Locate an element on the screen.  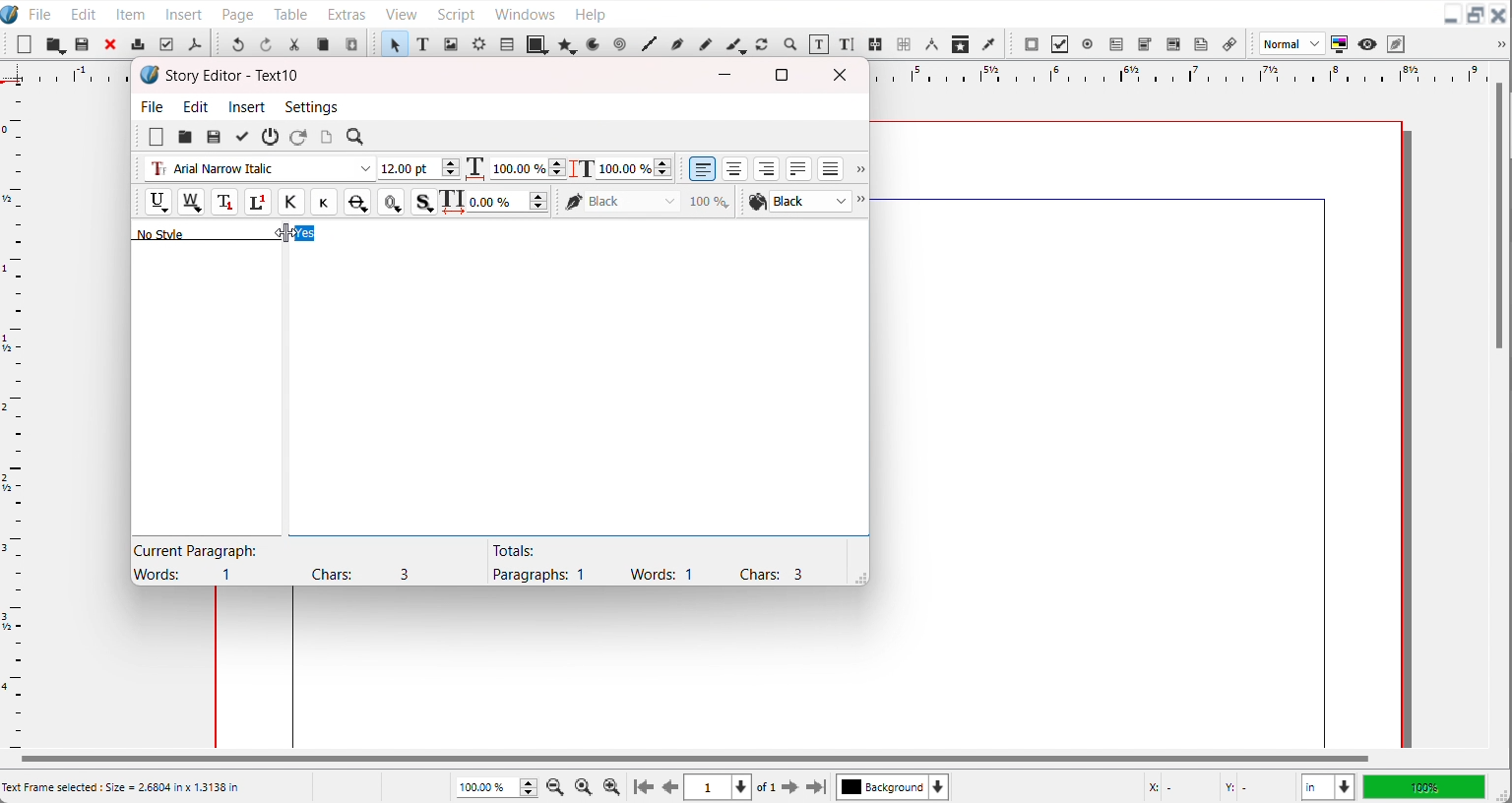
Item is located at coordinates (132, 14).